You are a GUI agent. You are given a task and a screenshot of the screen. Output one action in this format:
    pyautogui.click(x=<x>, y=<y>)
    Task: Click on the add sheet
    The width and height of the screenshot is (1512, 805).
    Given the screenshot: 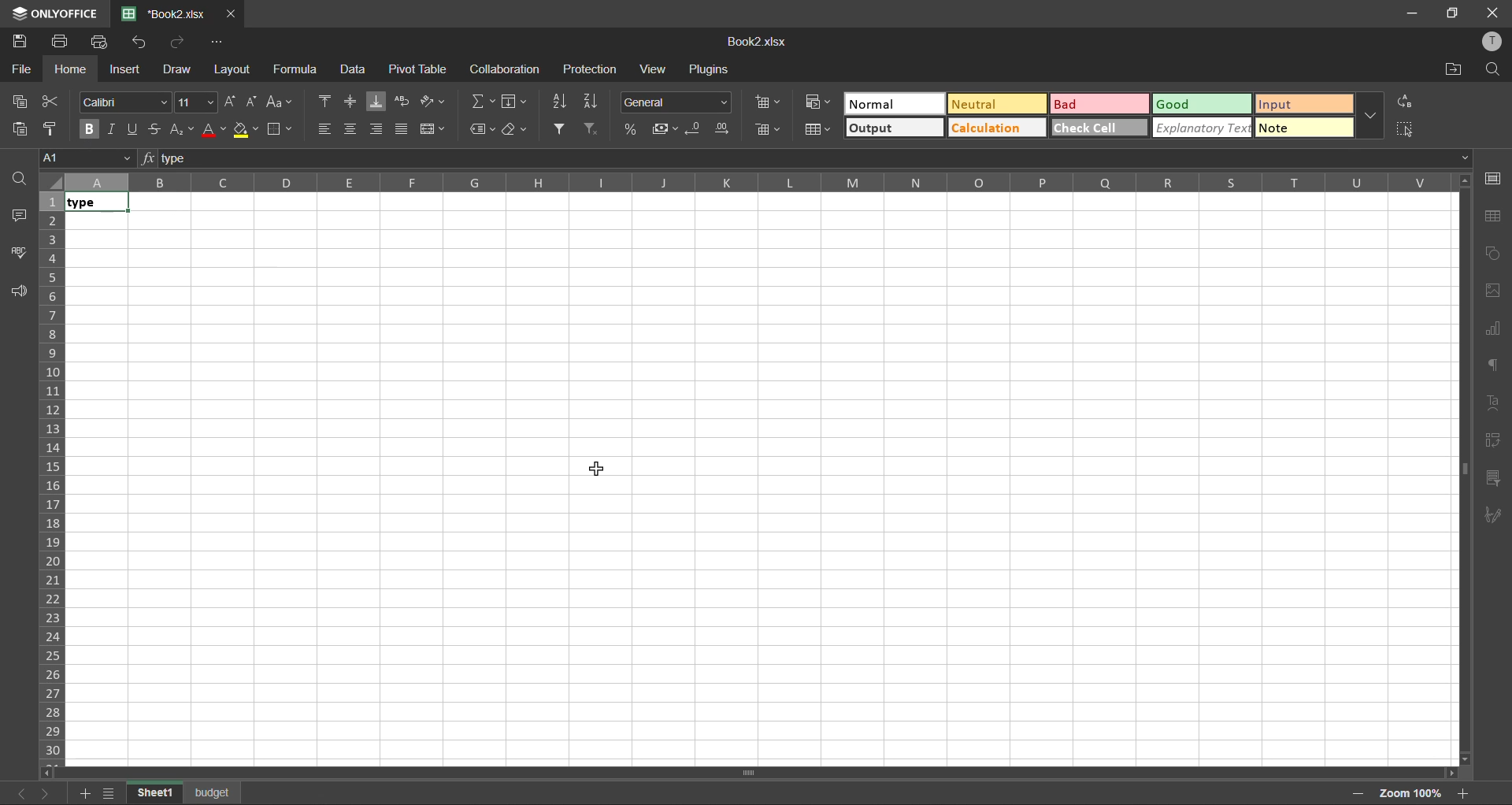 What is the action you would take?
    pyautogui.click(x=83, y=796)
    